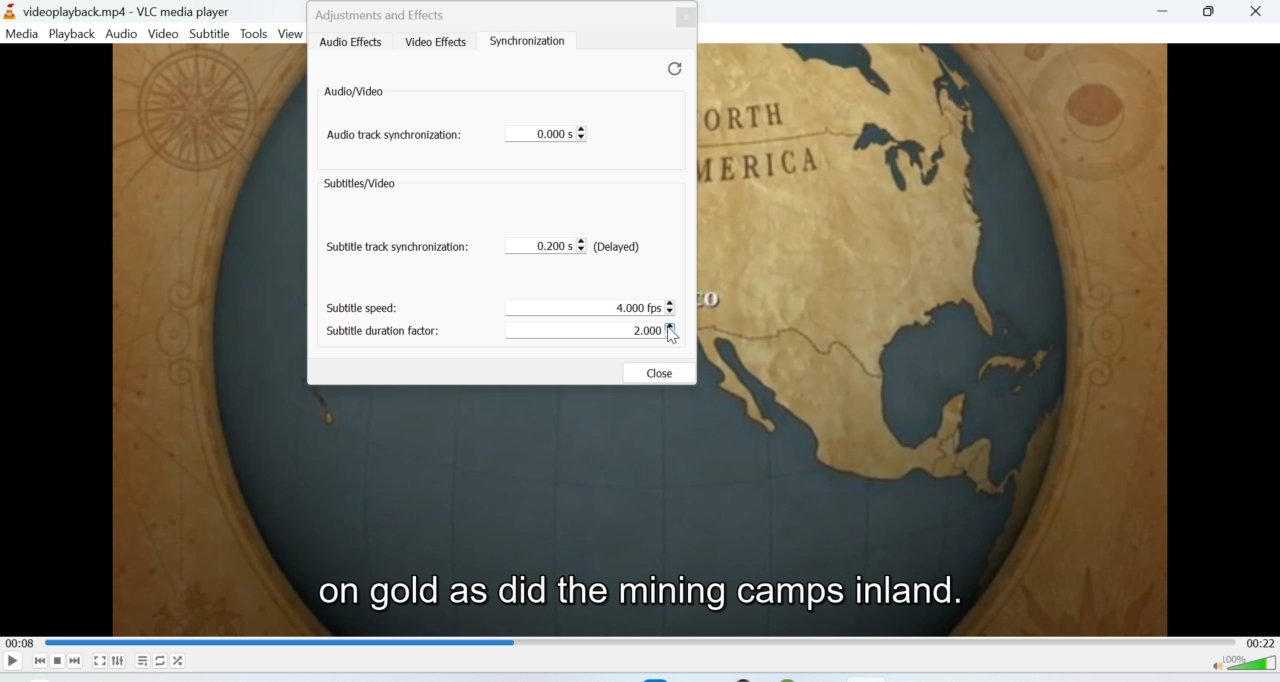  What do you see at coordinates (597, 305) in the screenshot?
I see `4.000 fps` at bounding box center [597, 305].